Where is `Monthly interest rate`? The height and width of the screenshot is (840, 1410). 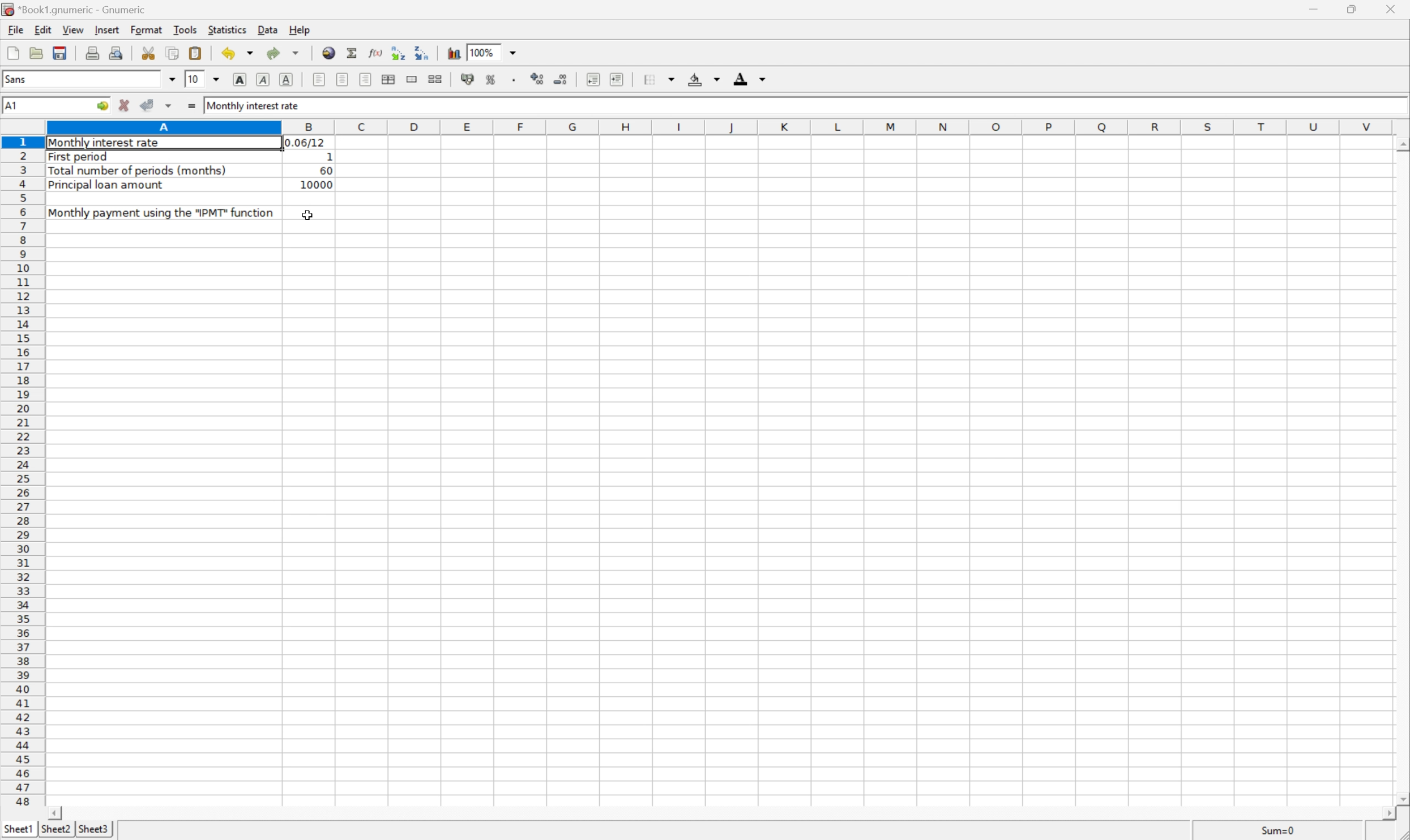
Monthly interest rate is located at coordinates (106, 144).